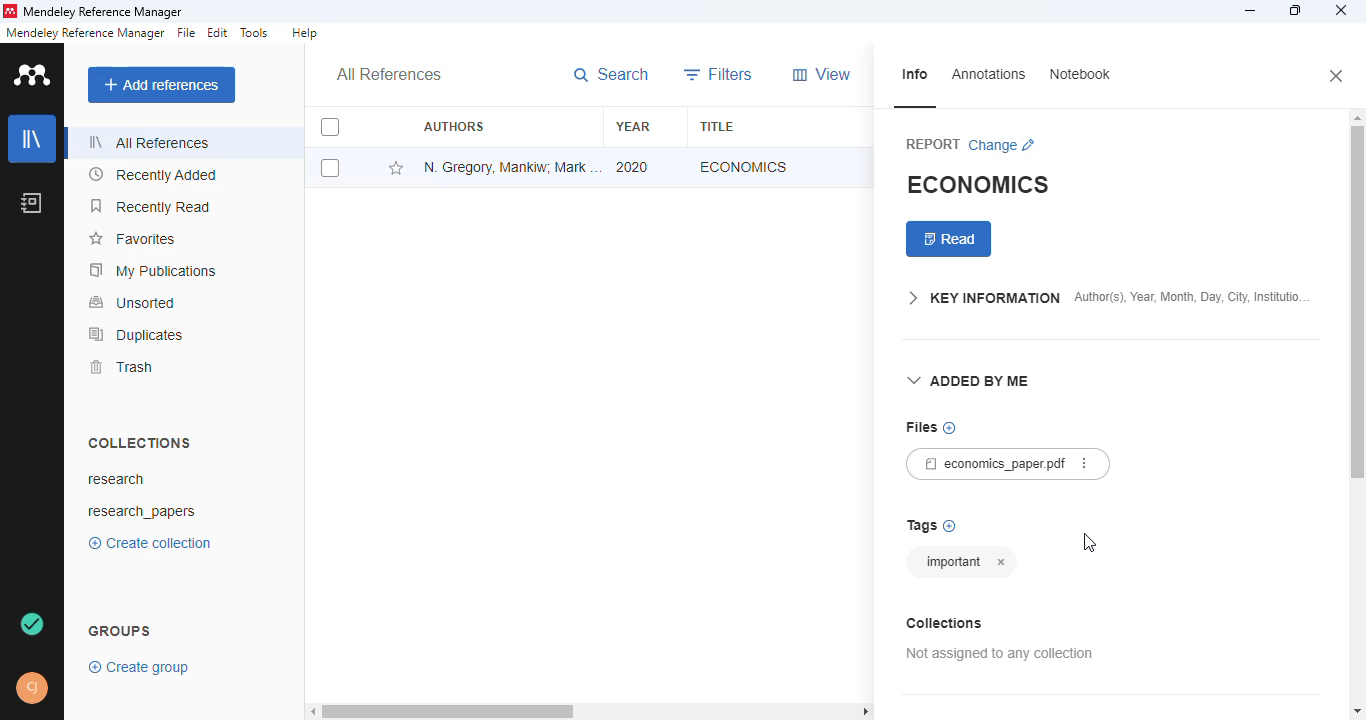 This screenshot has height=720, width=1366. I want to click on select, so click(330, 128).